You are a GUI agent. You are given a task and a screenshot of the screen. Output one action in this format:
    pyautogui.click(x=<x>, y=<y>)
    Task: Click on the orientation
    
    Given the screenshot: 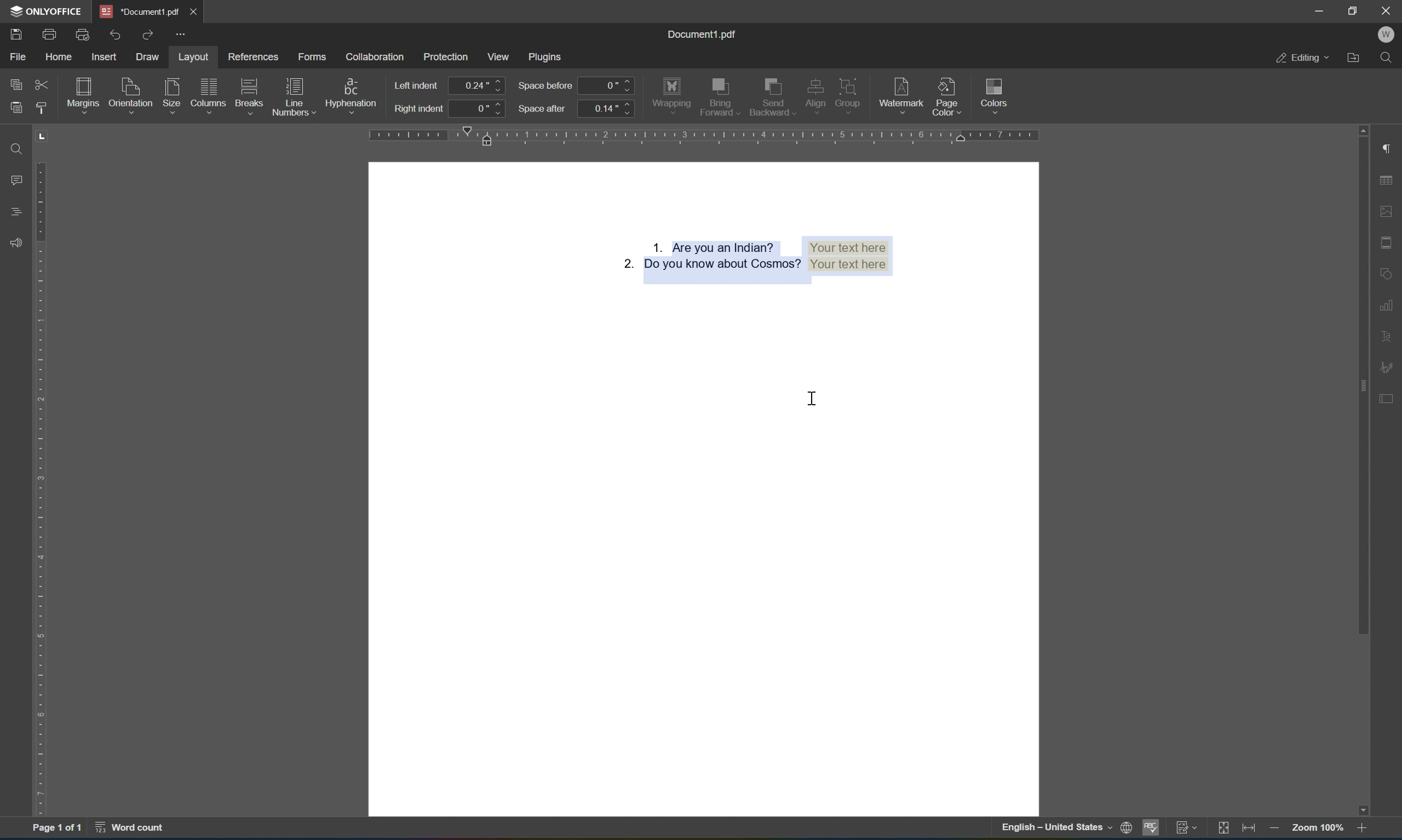 What is the action you would take?
    pyautogui.click(x=130, y=93)
    